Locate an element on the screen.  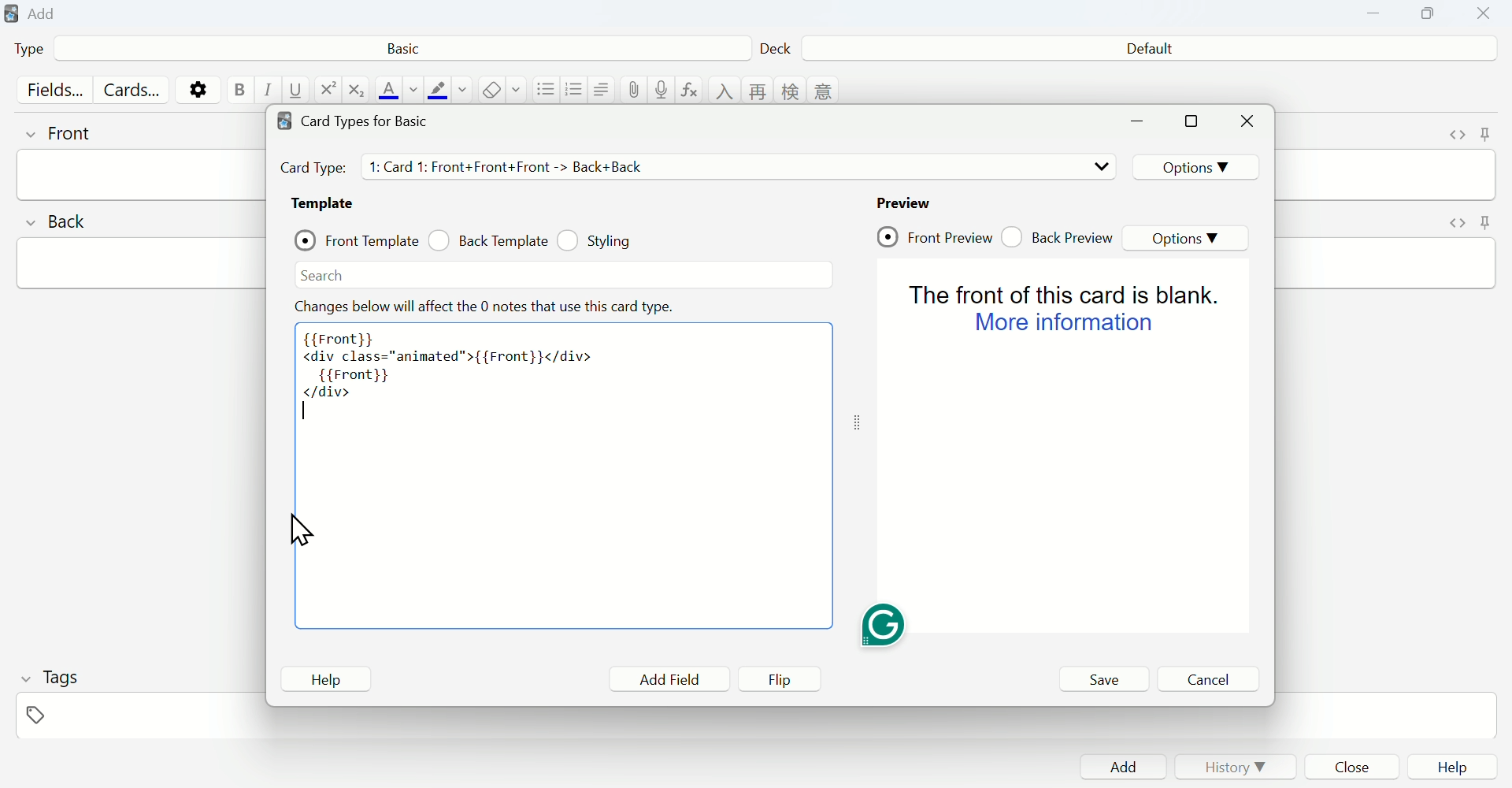
record audio is located at coordinates (661, 90).